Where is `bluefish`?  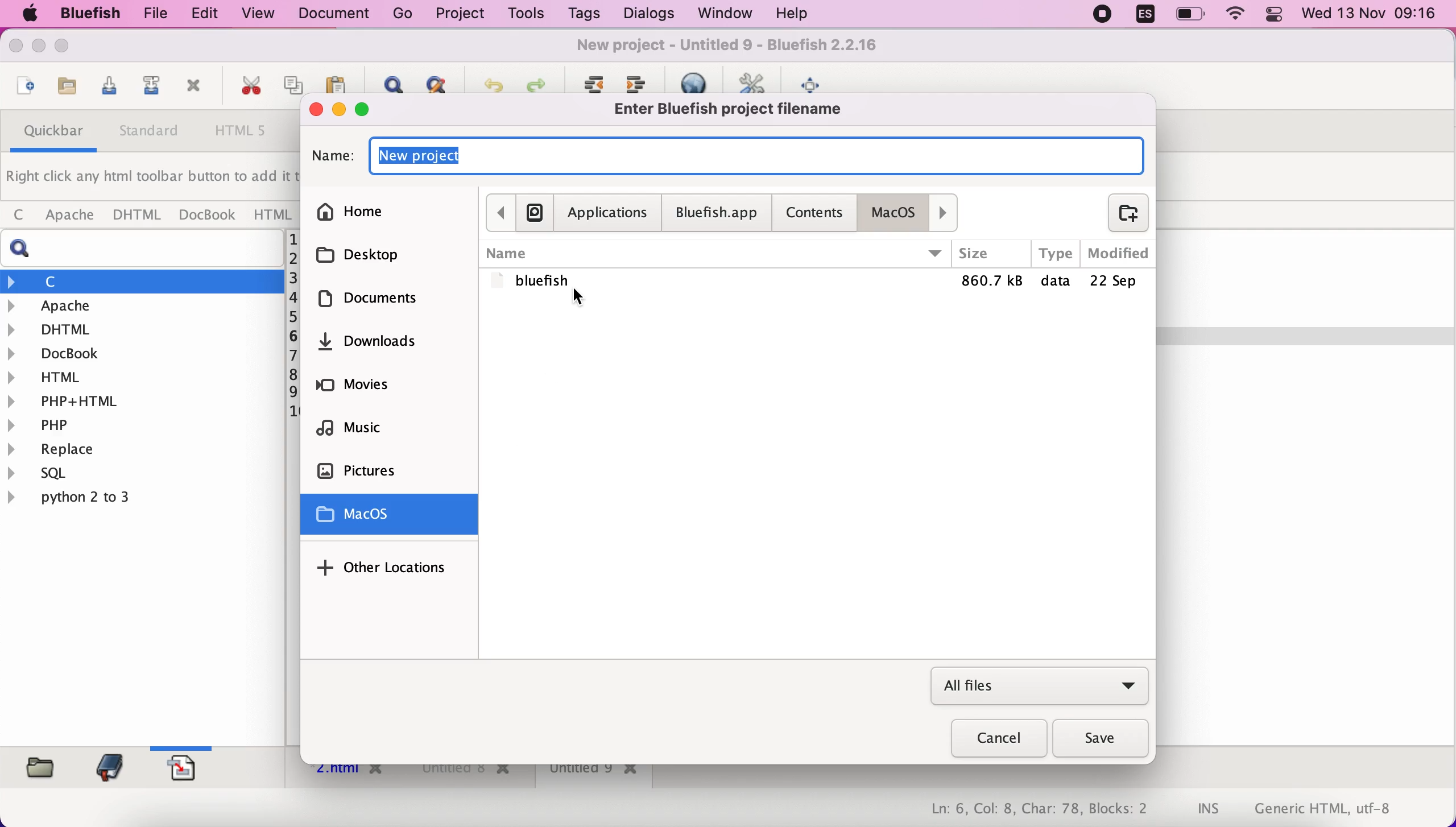 bluefish is located at coordinates (85, 13).